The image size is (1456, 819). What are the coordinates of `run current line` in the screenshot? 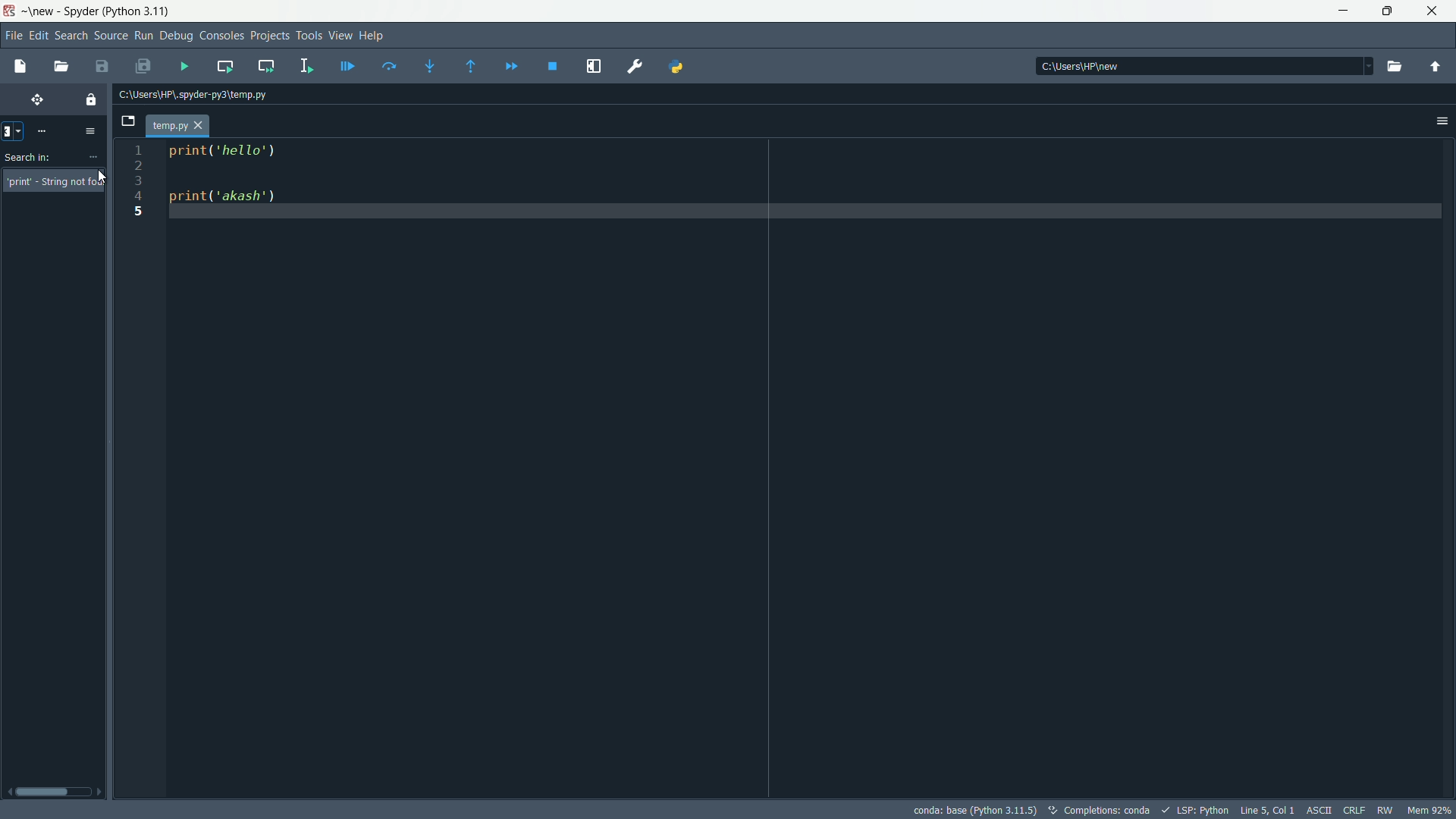 It's located at (388, 67).